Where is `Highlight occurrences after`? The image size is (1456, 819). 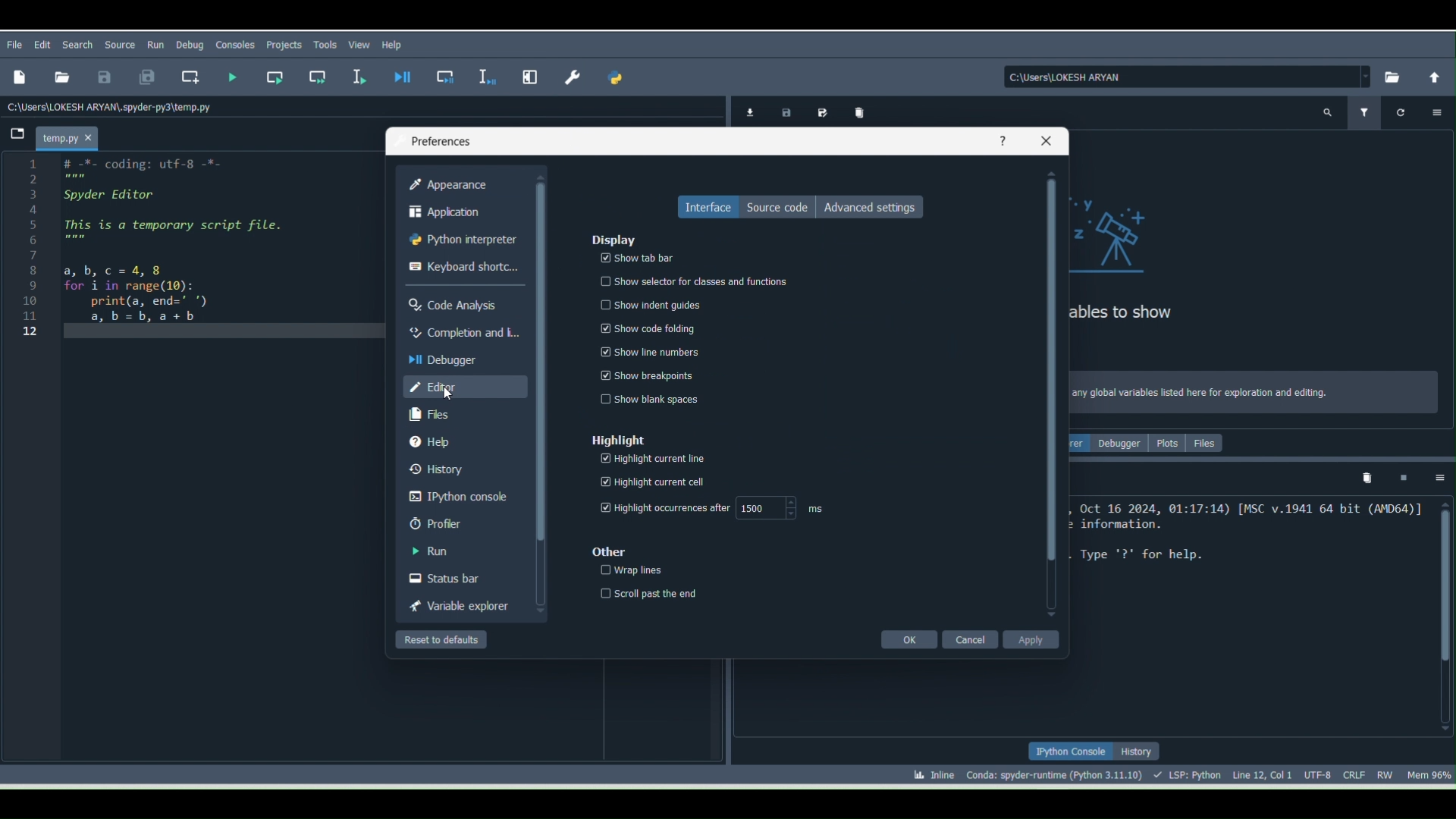 Highlight occurrences after is located at coordinates (661, 507).